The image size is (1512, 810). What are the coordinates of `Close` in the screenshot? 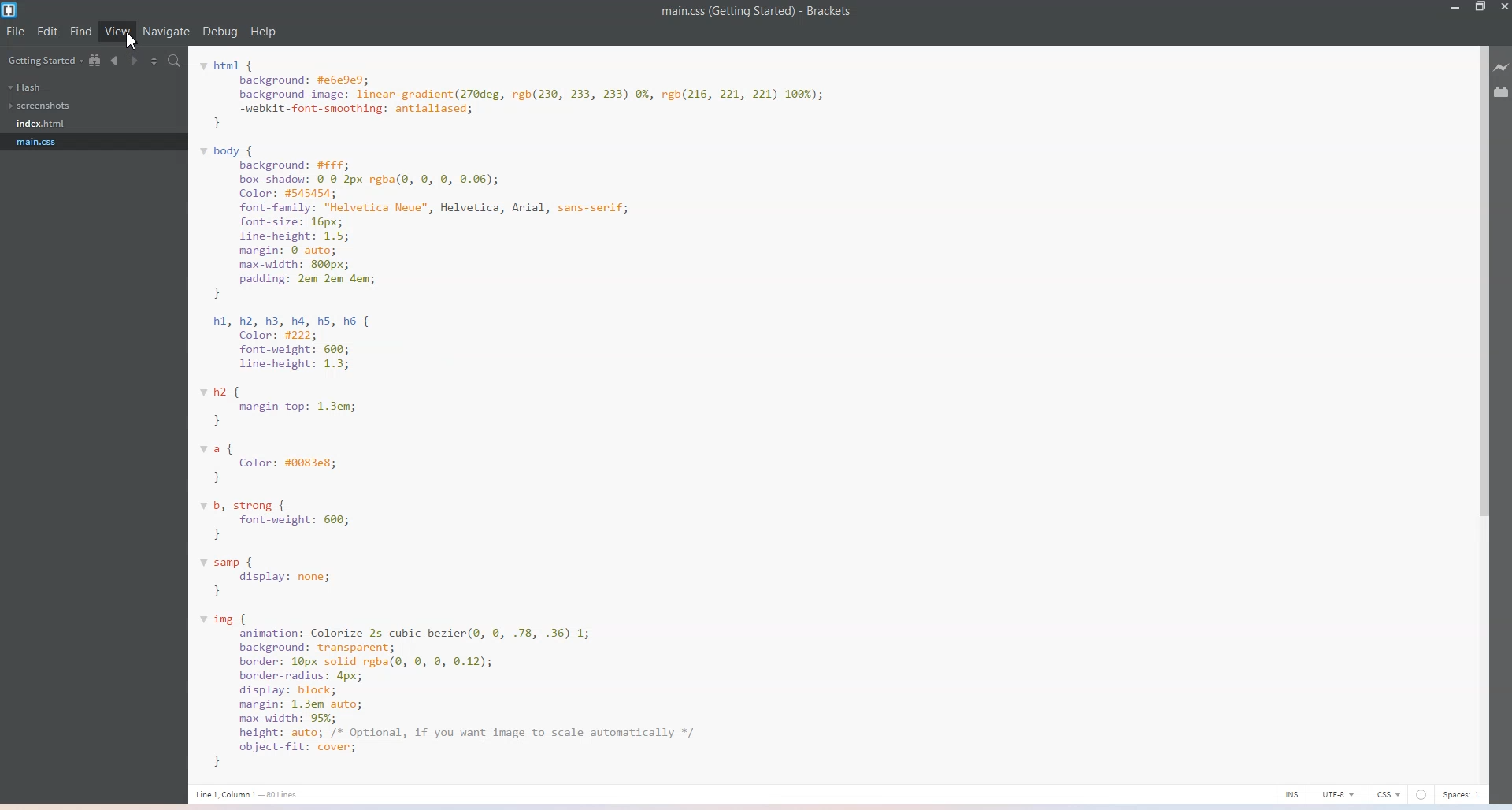 It's located at (1503, 8).